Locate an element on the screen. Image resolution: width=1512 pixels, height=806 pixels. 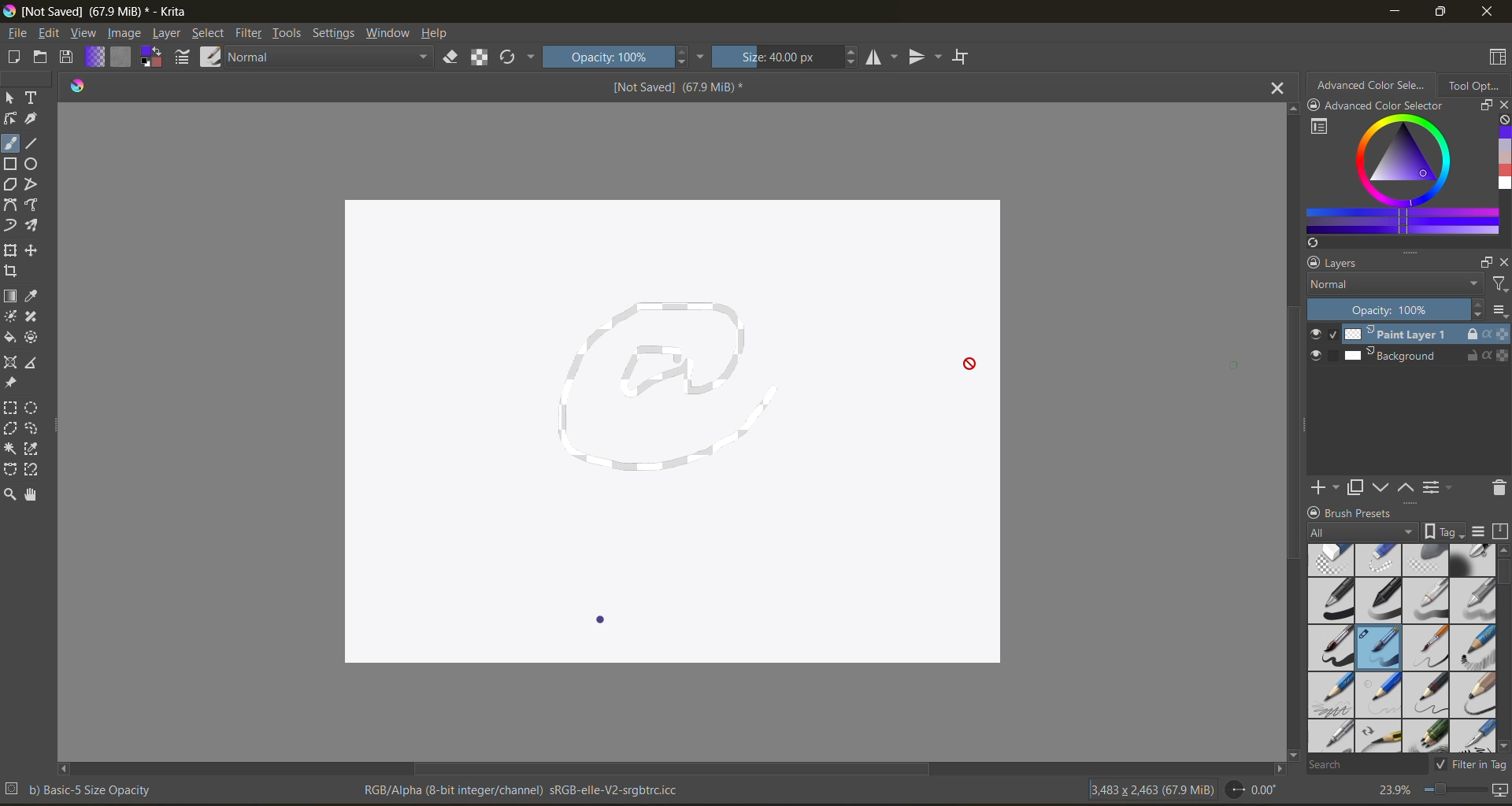
blending tool is located at coordinates (1470, 560).